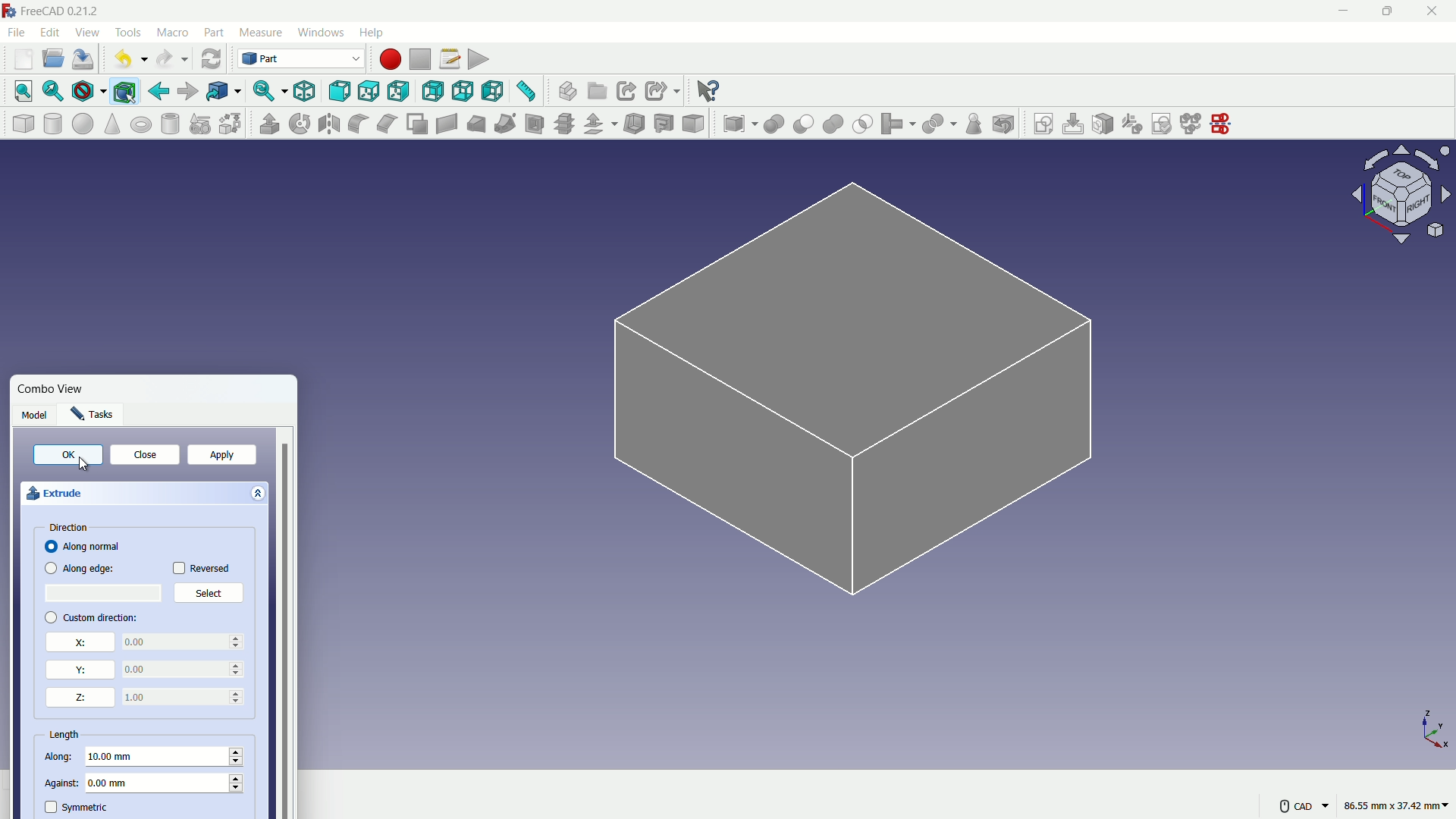 The image size is (1456, 819). I want to click on z direction, so click(78, 699).